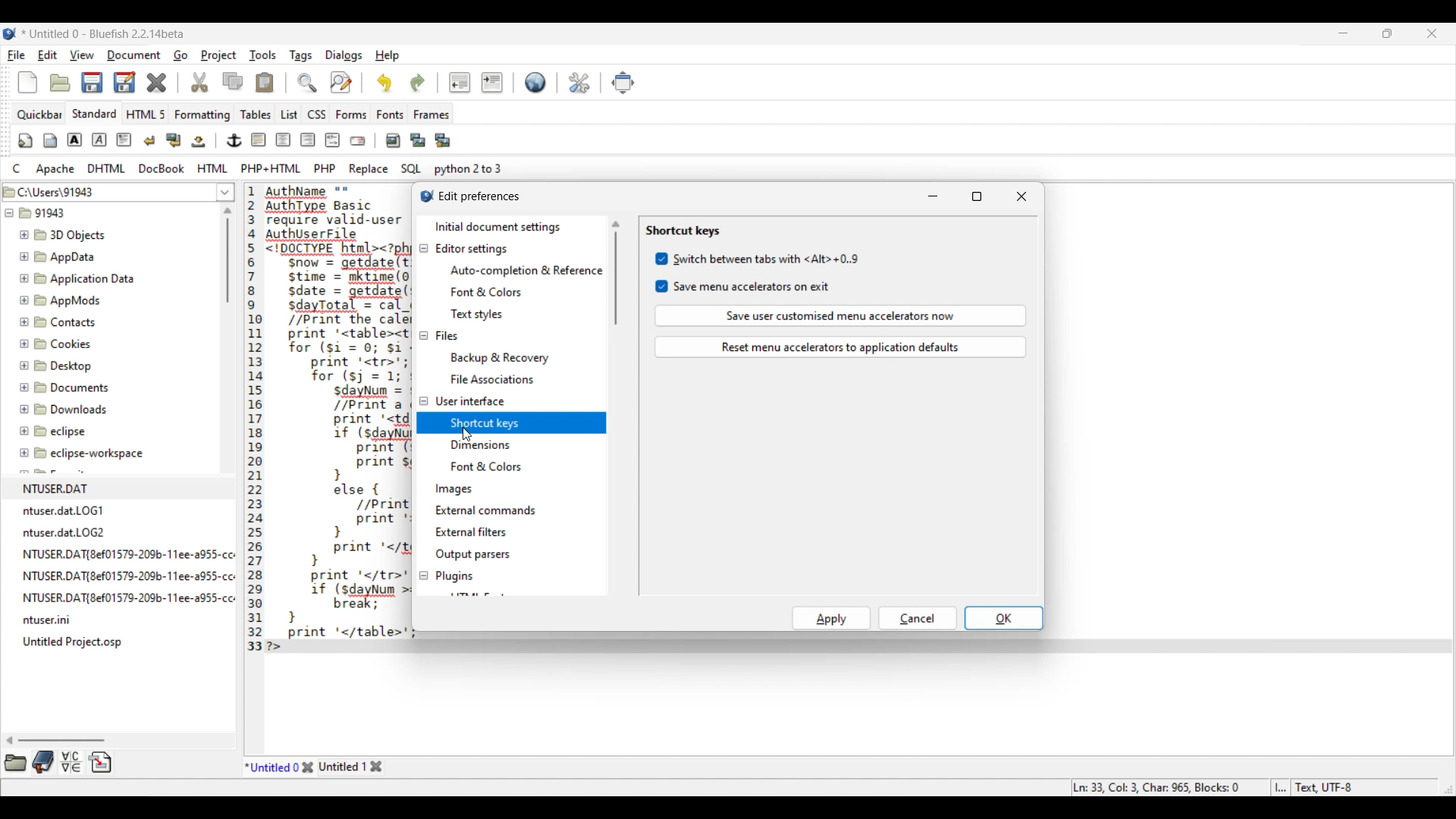 The width and height of the screenshot is (1456, 819). Describe the element at coordinates (384, 83) in the screenshot. I see `Undo` at that location.